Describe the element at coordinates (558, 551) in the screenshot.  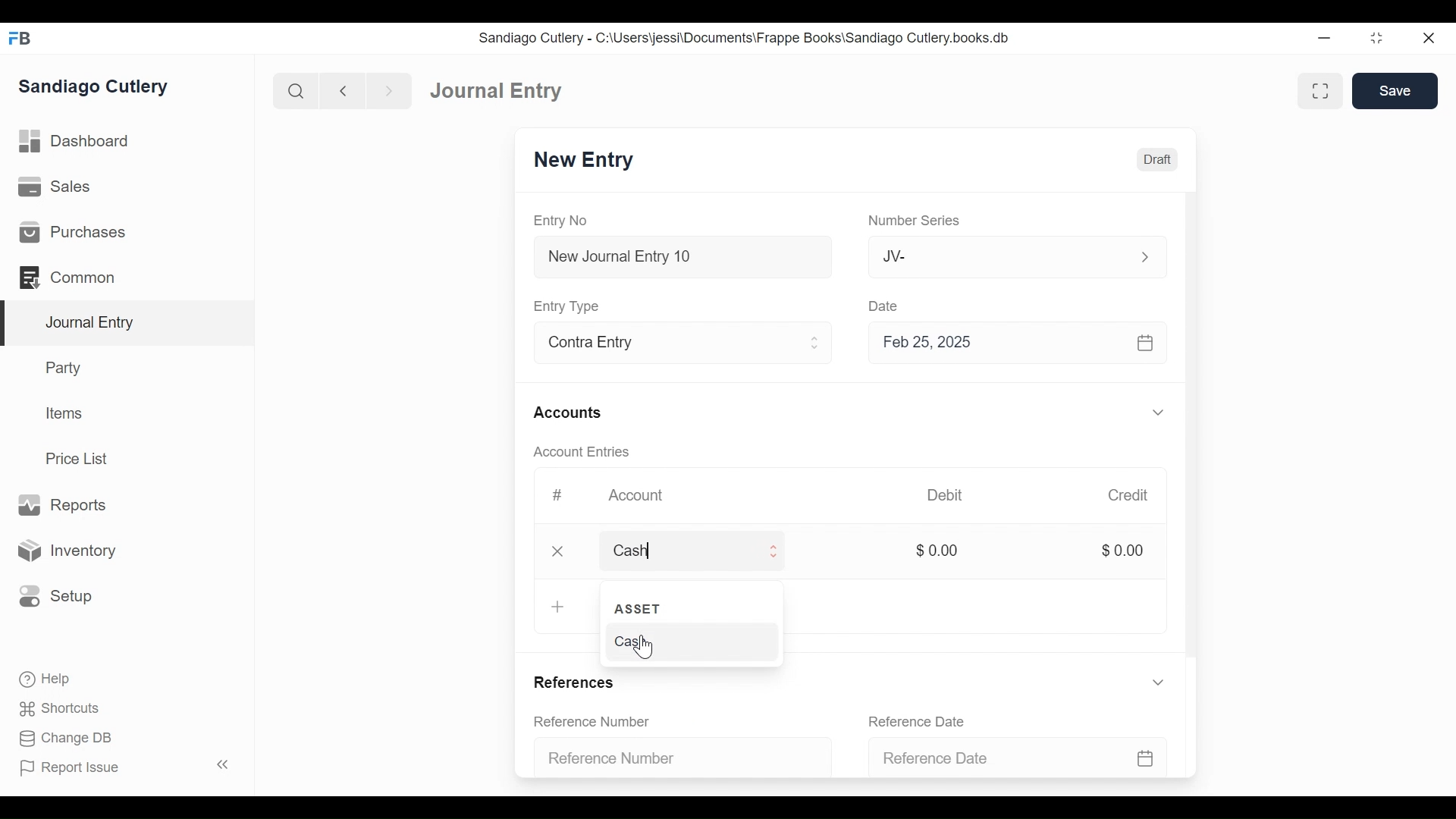
I see `Close` at that location.